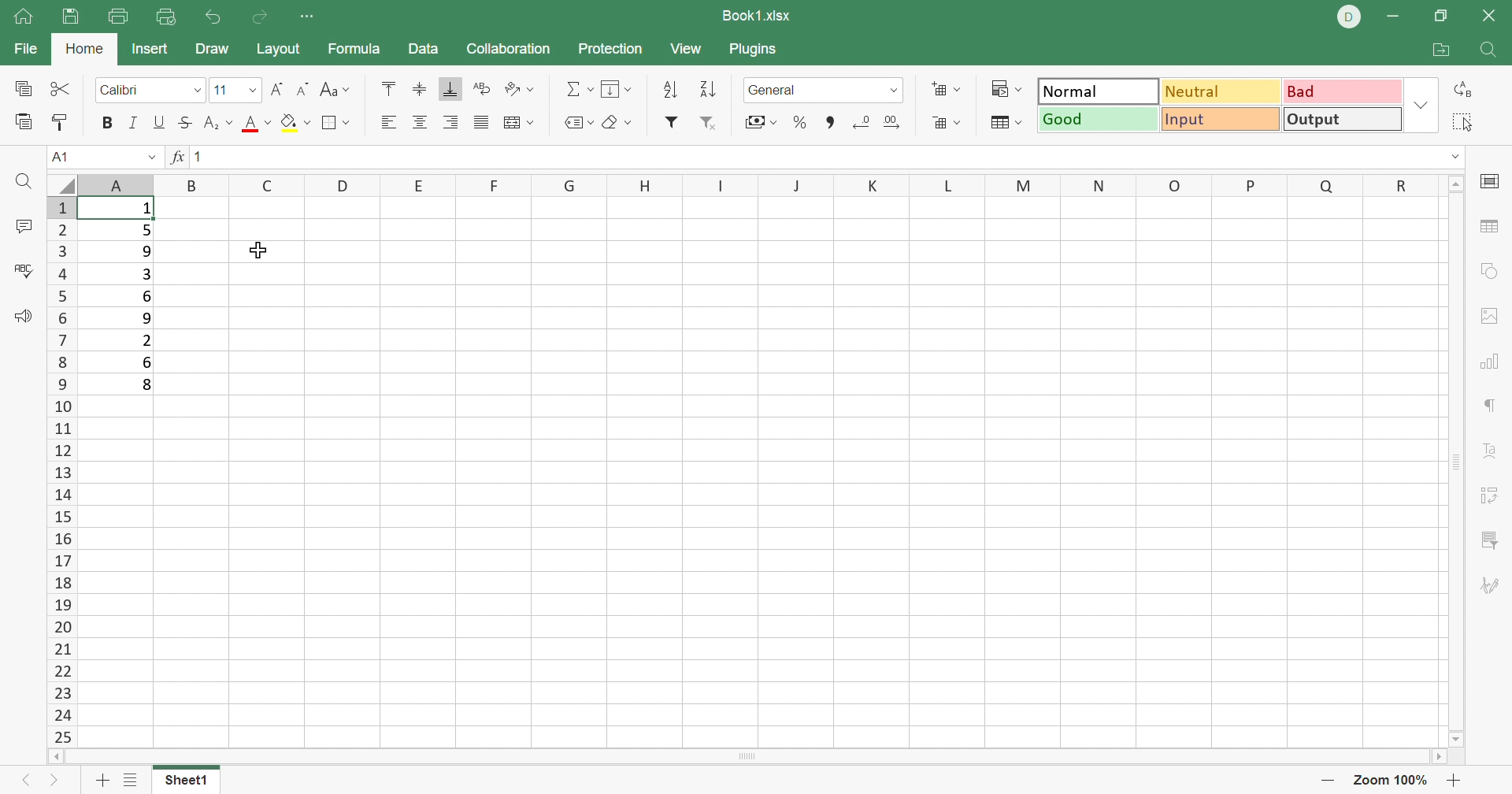 This screenshot has width=1512, height=794. I want to click on 6, so click(148, 297).